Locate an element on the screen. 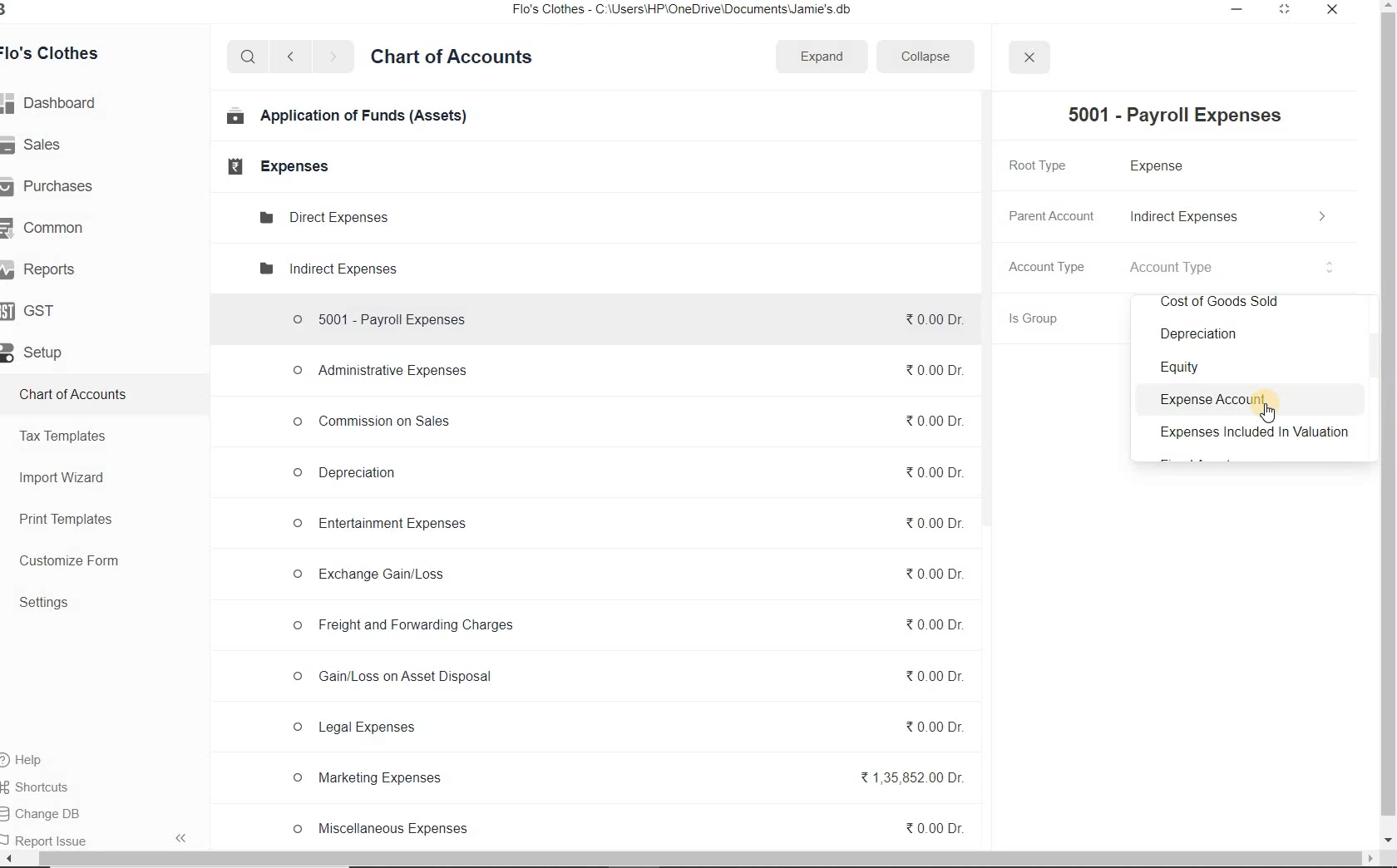   Change DB is located at coordinates (59, 811).